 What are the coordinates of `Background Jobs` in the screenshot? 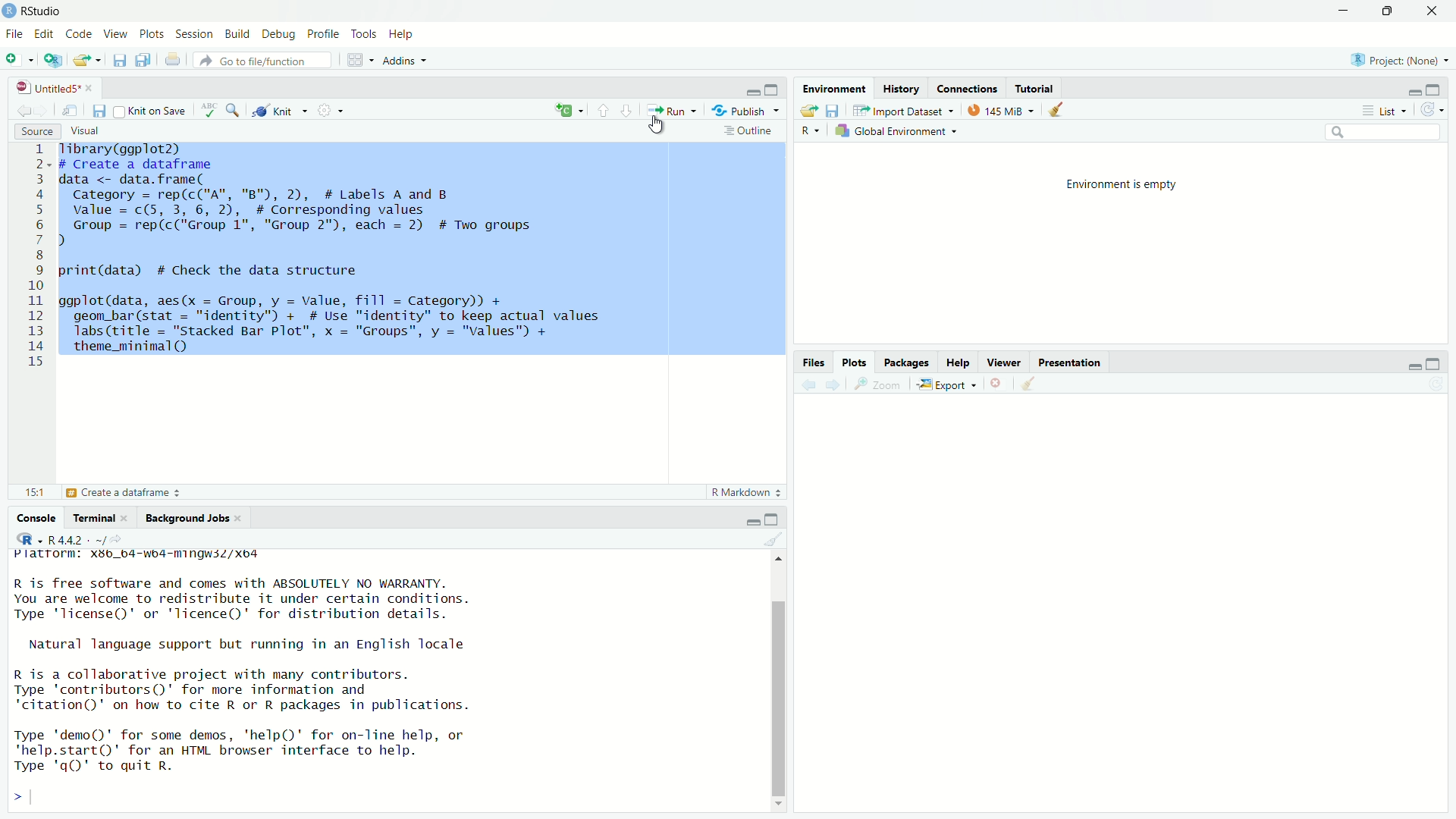 It's located at (190, 517).